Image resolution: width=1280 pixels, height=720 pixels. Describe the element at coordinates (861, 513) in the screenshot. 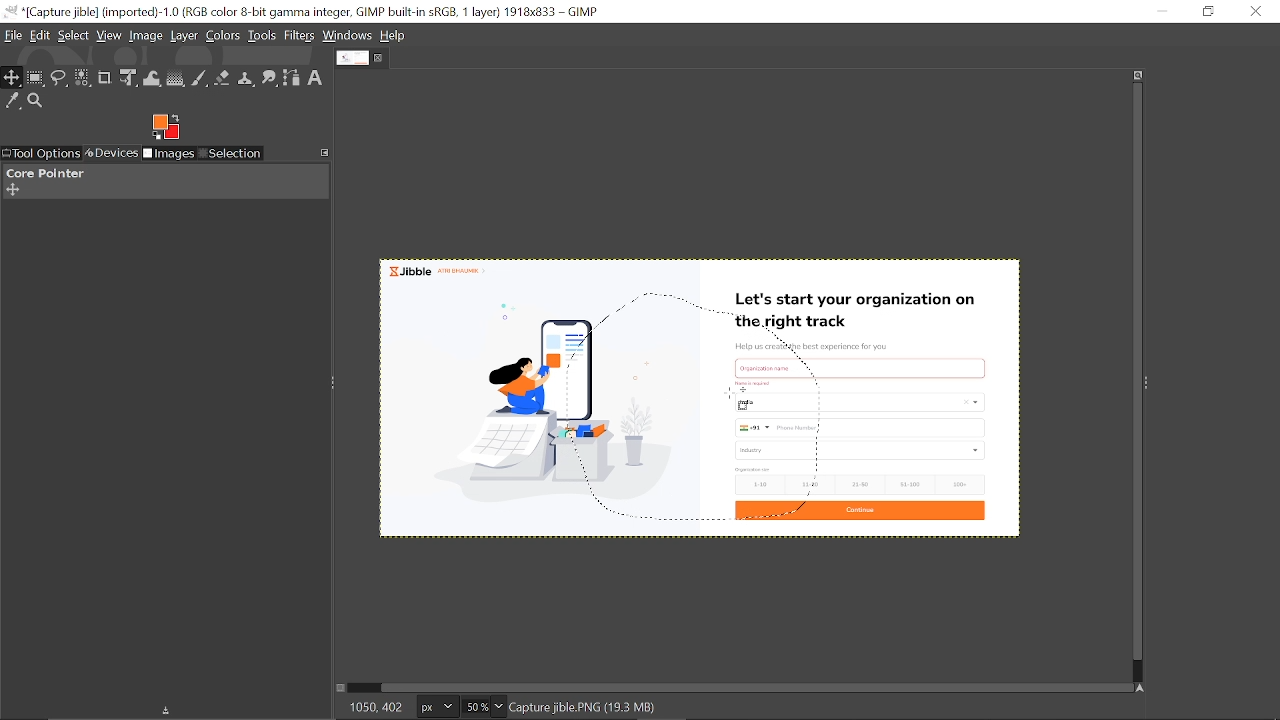

I see `continue` at that location.